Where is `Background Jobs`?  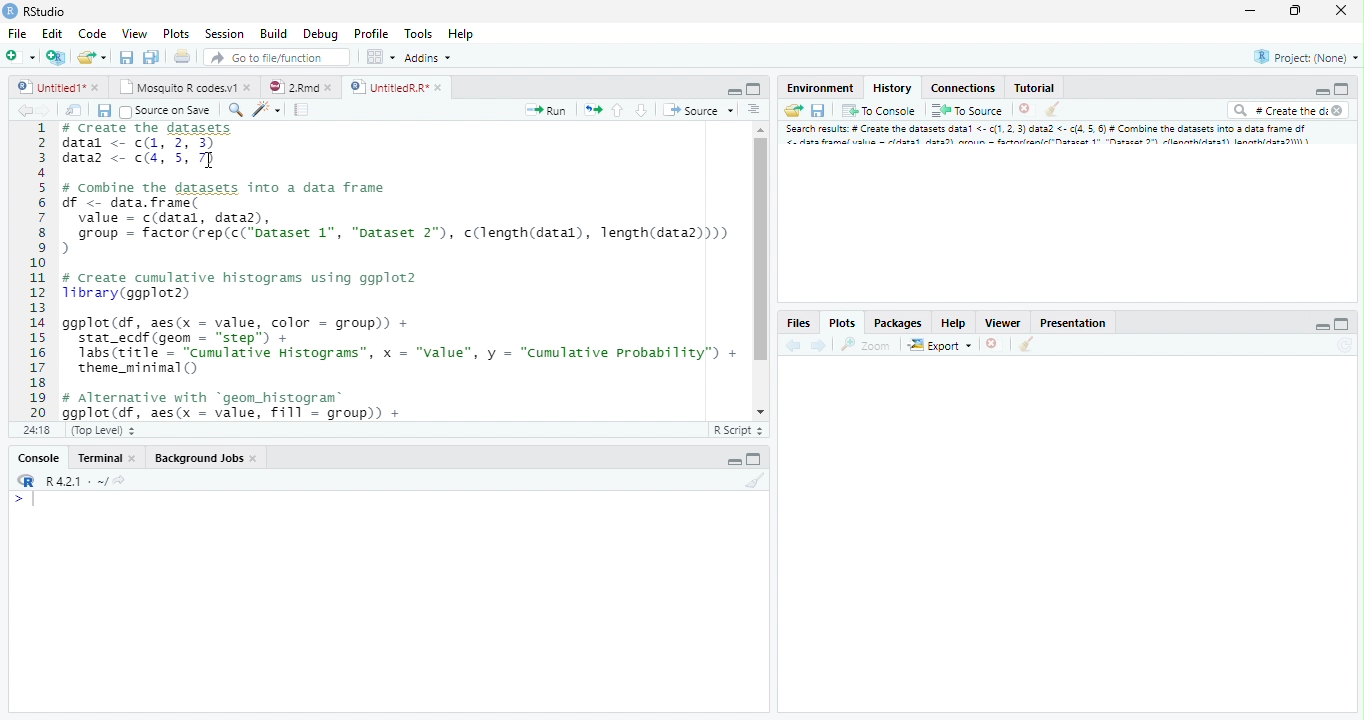
Background Jobs is located at coordinates (207, 458).